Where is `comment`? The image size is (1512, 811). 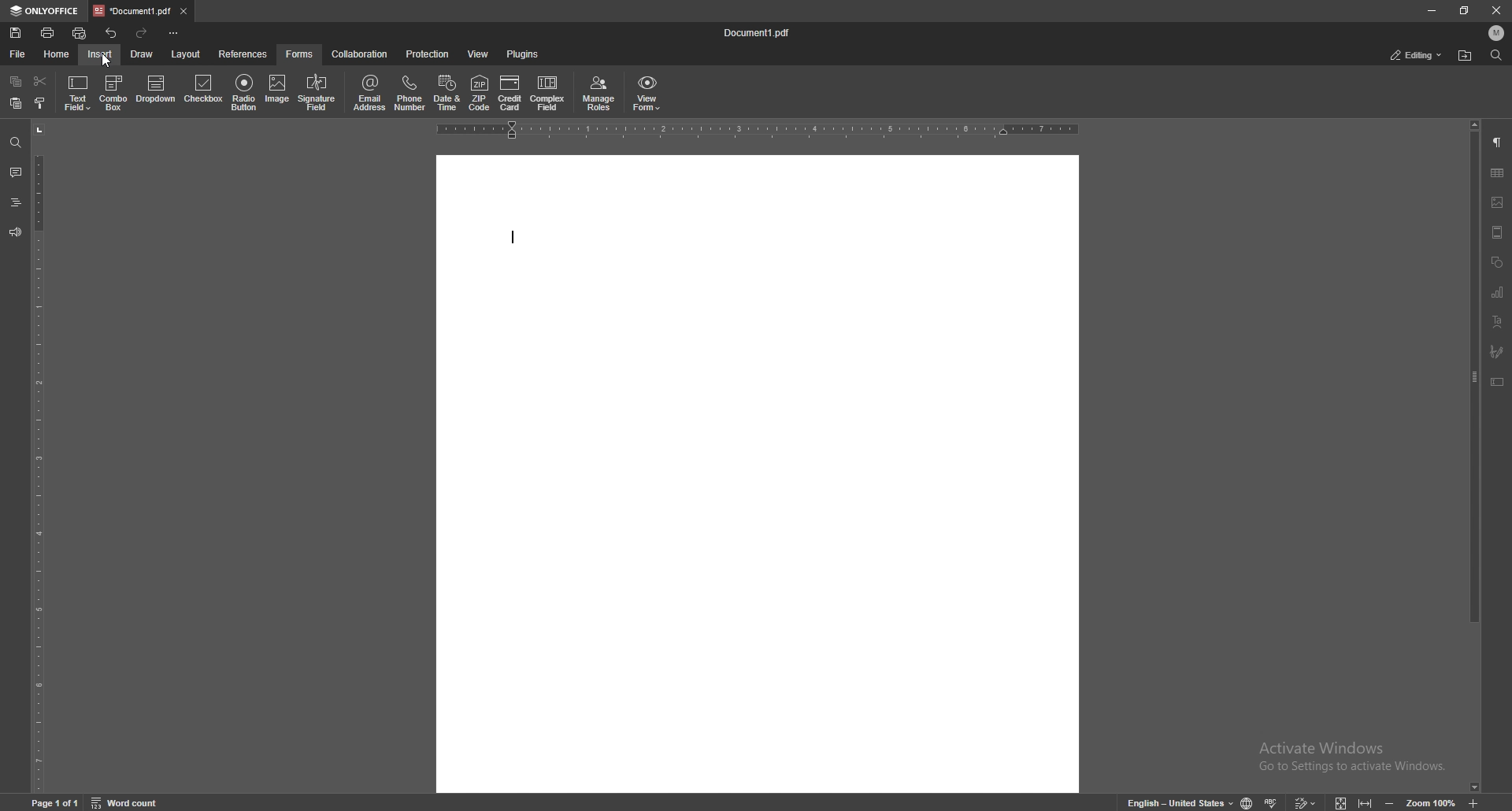 comment is located at coordinates (17, 172).